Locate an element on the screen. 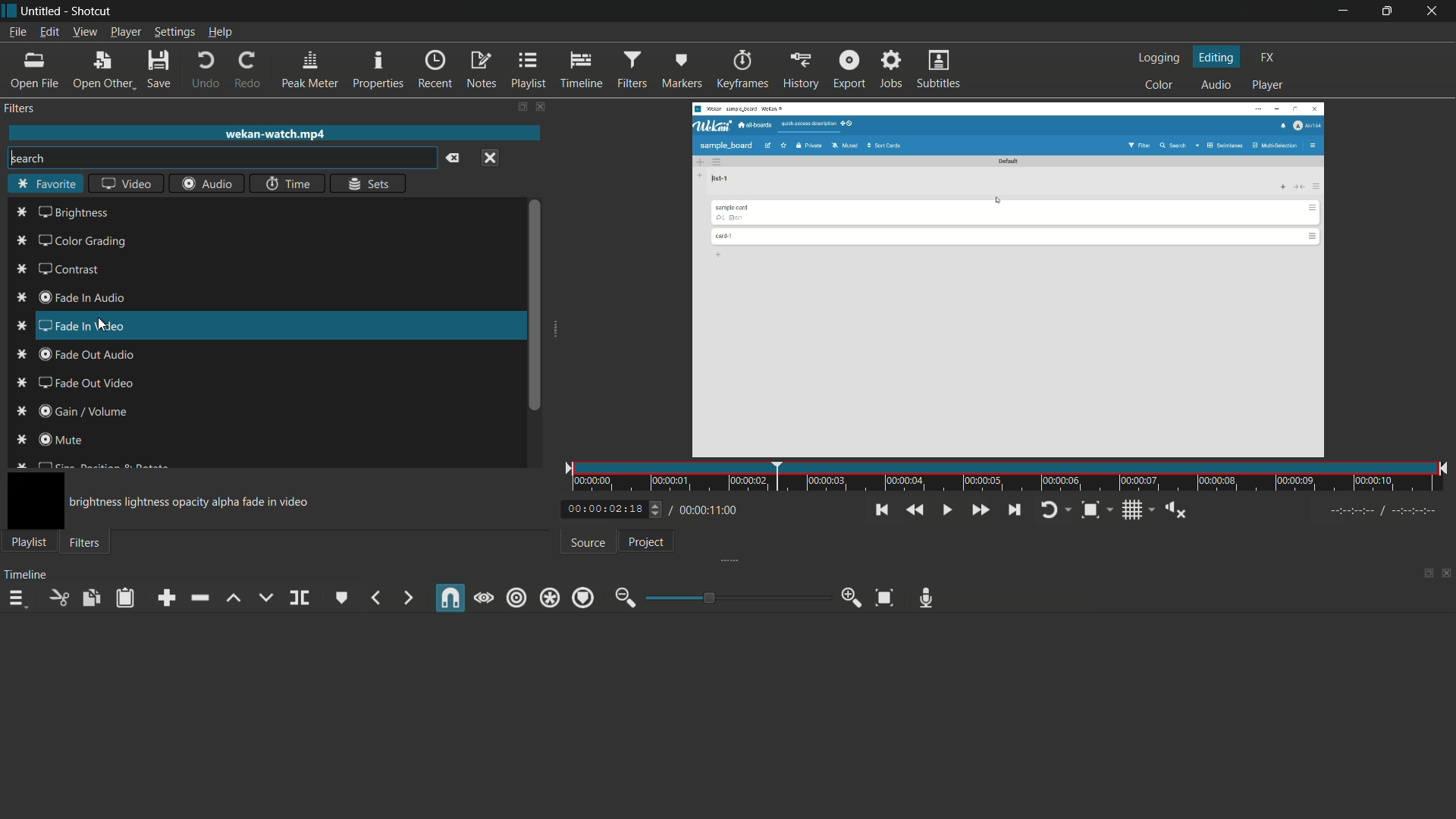  history is located at coordinates (800, 71).